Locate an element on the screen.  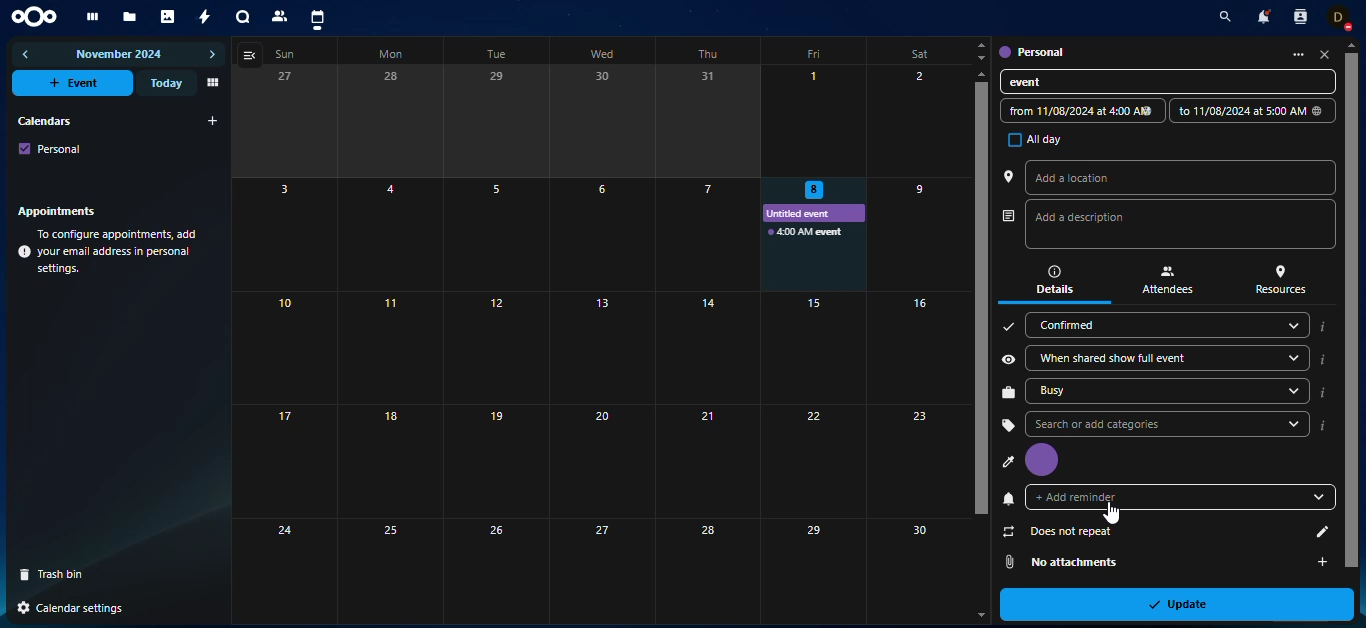
28 is located at coordinates (707, 570).